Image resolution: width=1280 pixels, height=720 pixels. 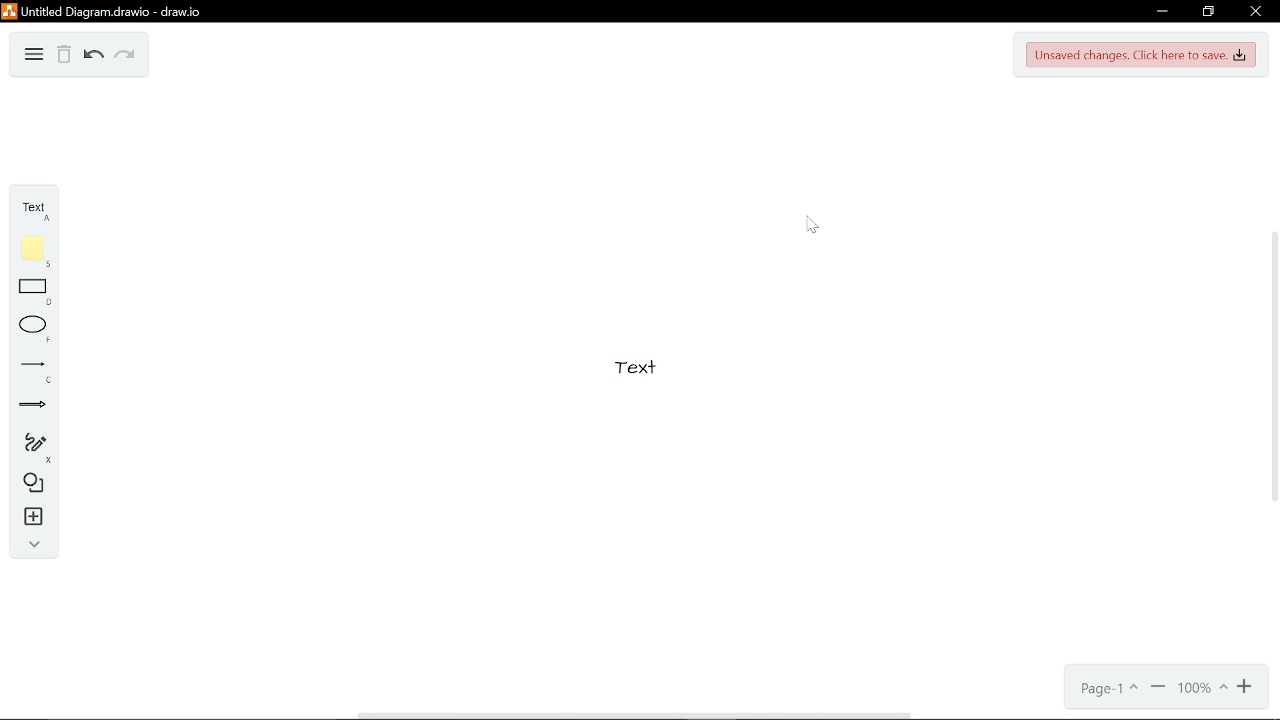 What do you see at coordinates (126, 56) in the screenshot?
I see `Redo` at bounding box center [126, 56].